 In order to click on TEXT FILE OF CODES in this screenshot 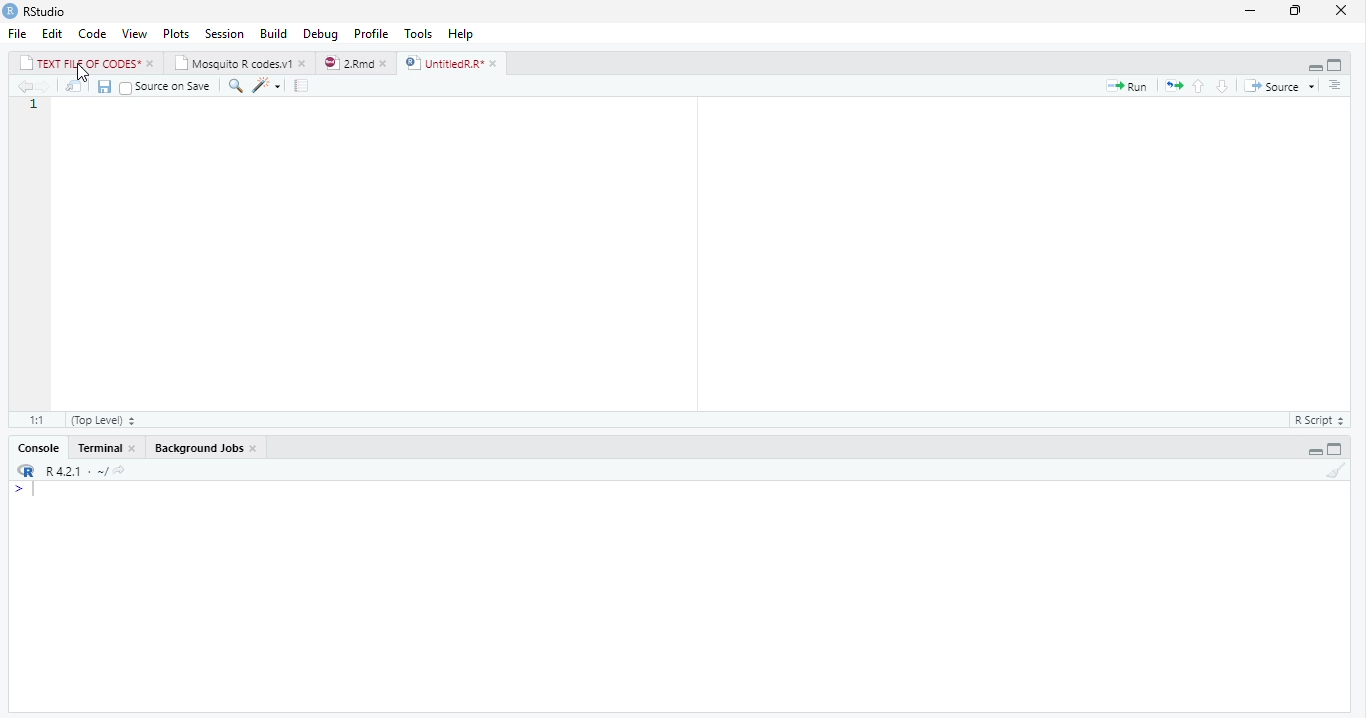, I will do `click(82, 65)`.